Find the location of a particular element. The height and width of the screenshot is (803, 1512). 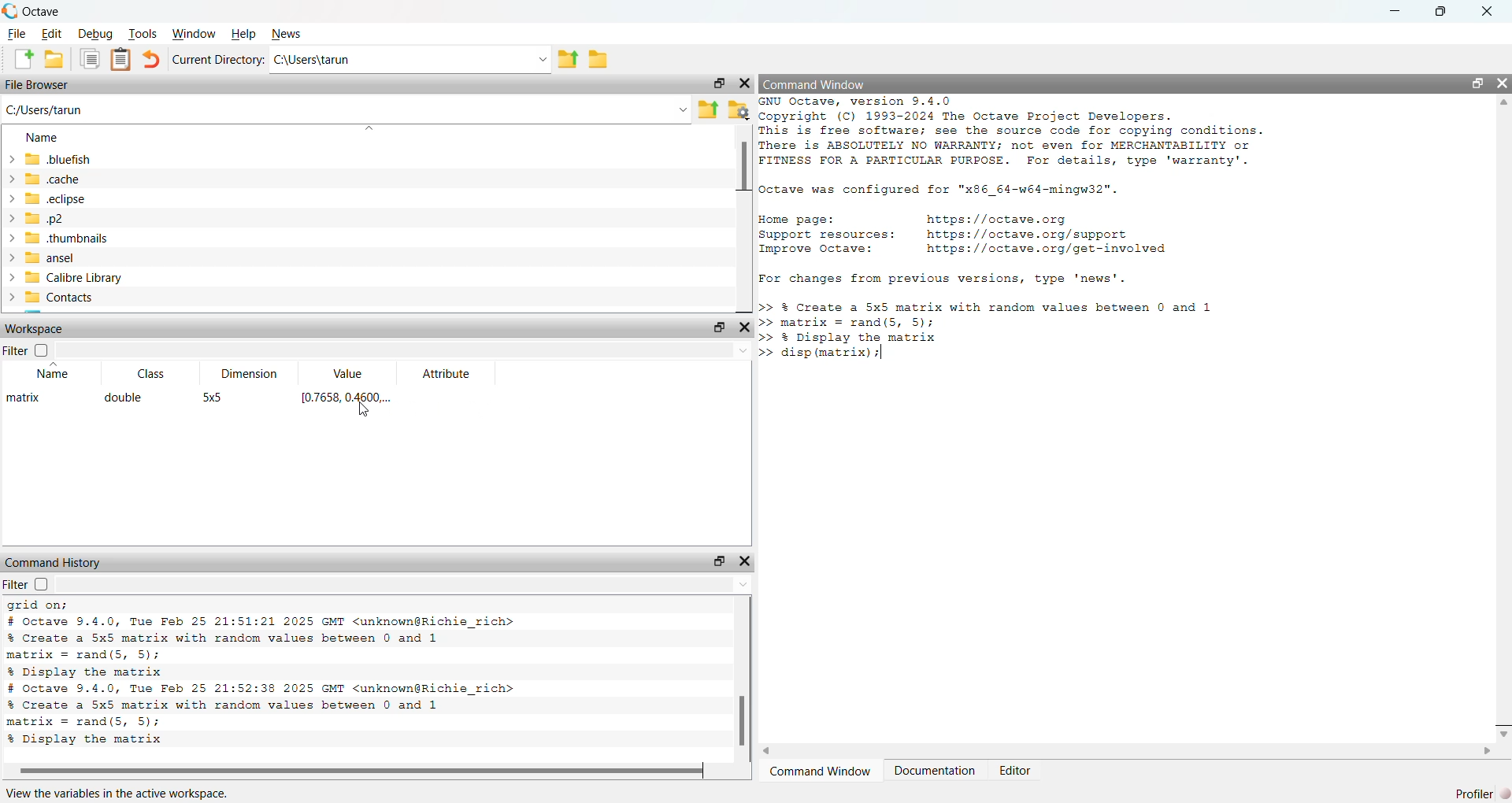

File Browser is located at coordinates (42, 86).